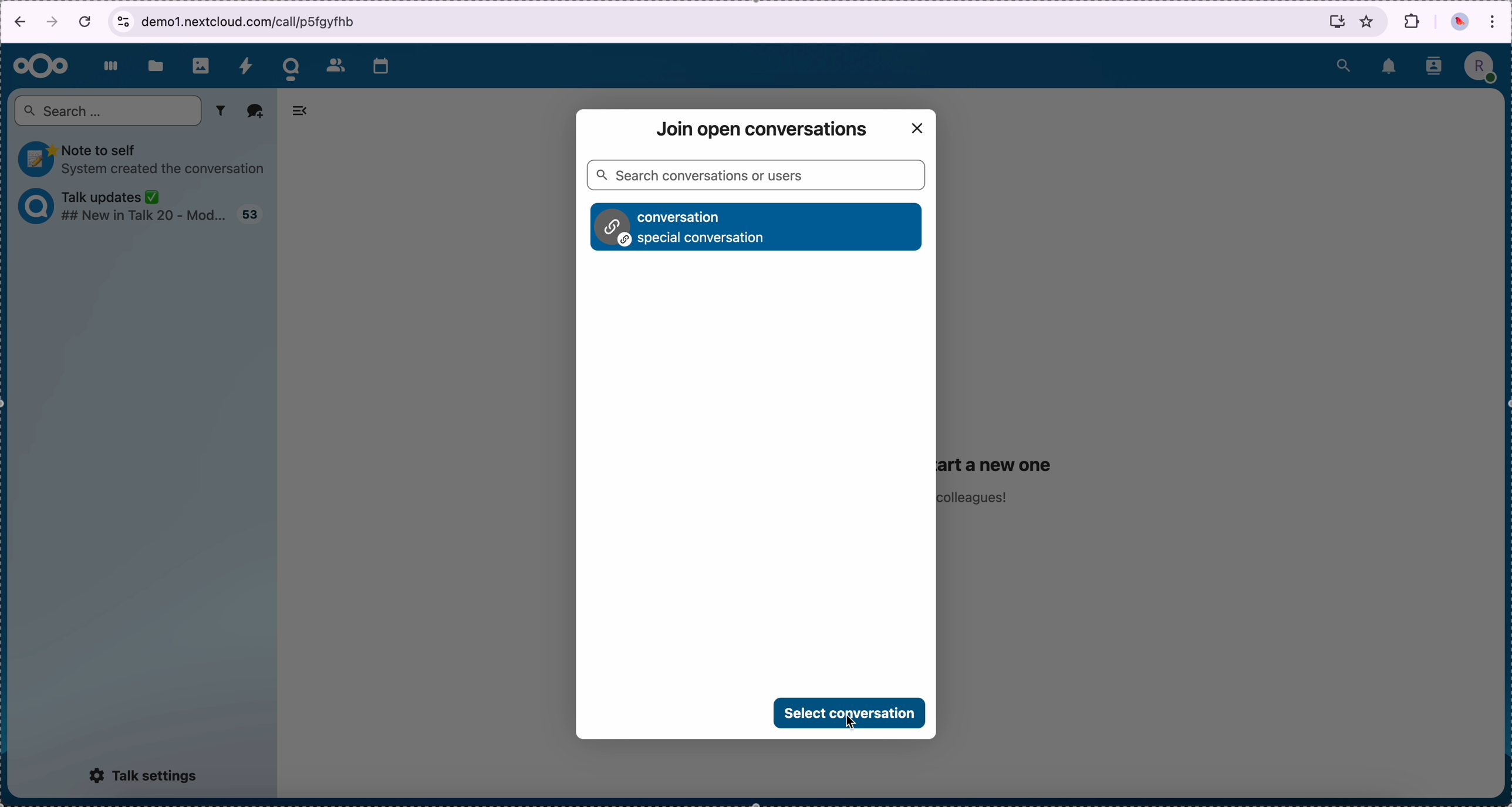 This screenshot has width=1512, height=807. What do you see at coordinates (917, 129) in the screenshot?
I see `close` at bounding box center [917, 129].